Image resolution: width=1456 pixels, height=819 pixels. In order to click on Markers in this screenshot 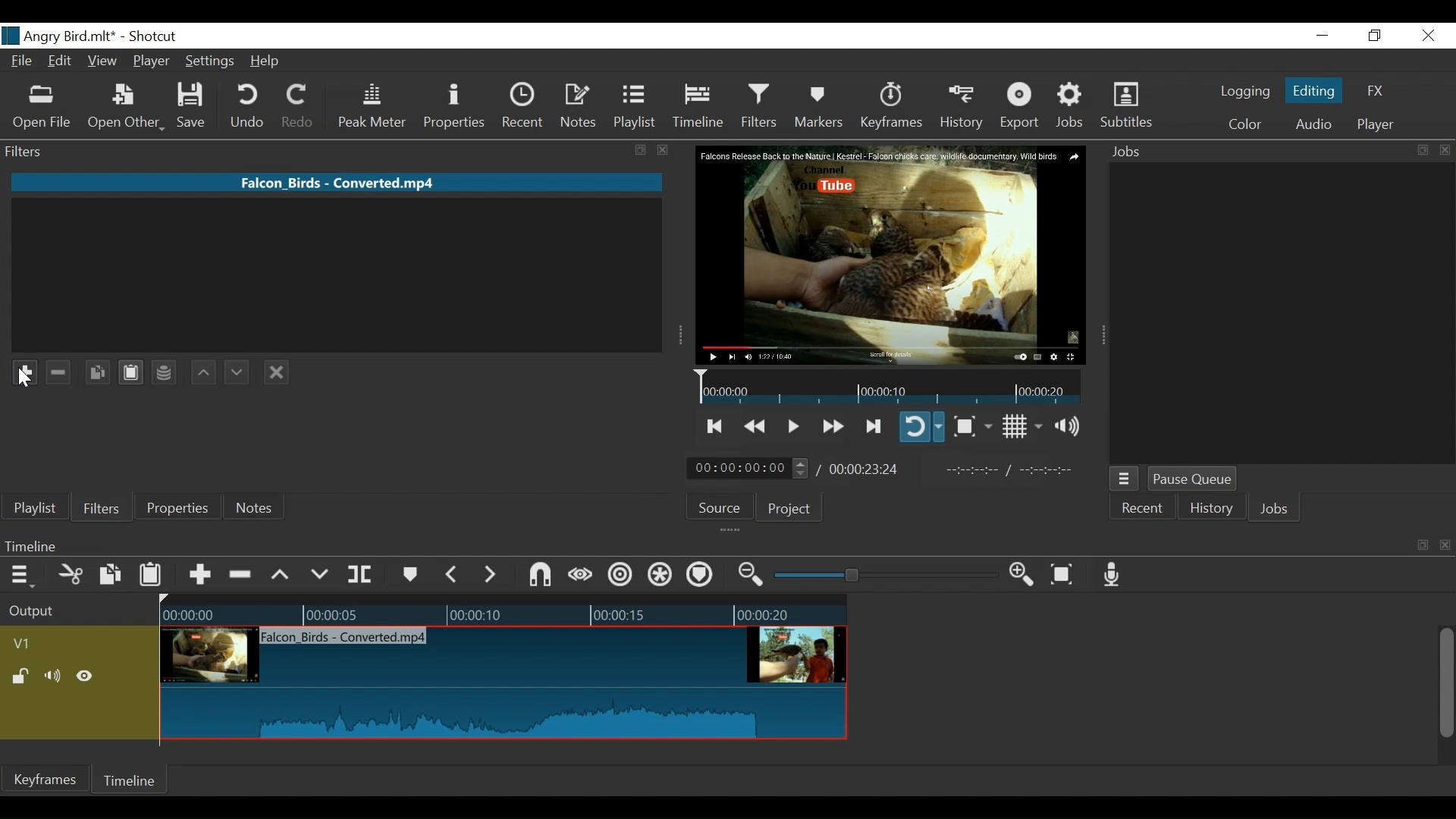, I will do `click(409, 575)`.